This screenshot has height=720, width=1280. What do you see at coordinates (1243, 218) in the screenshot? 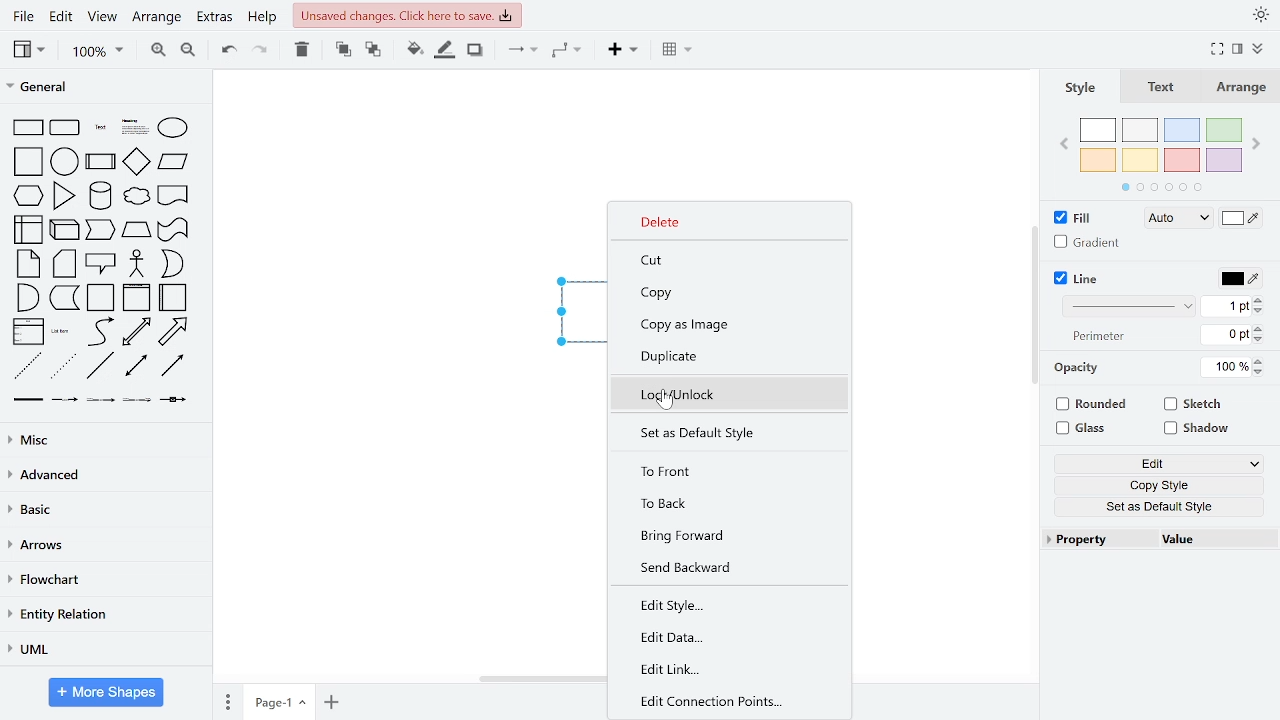
I see `fill color` at bounding box center [1243, 218].